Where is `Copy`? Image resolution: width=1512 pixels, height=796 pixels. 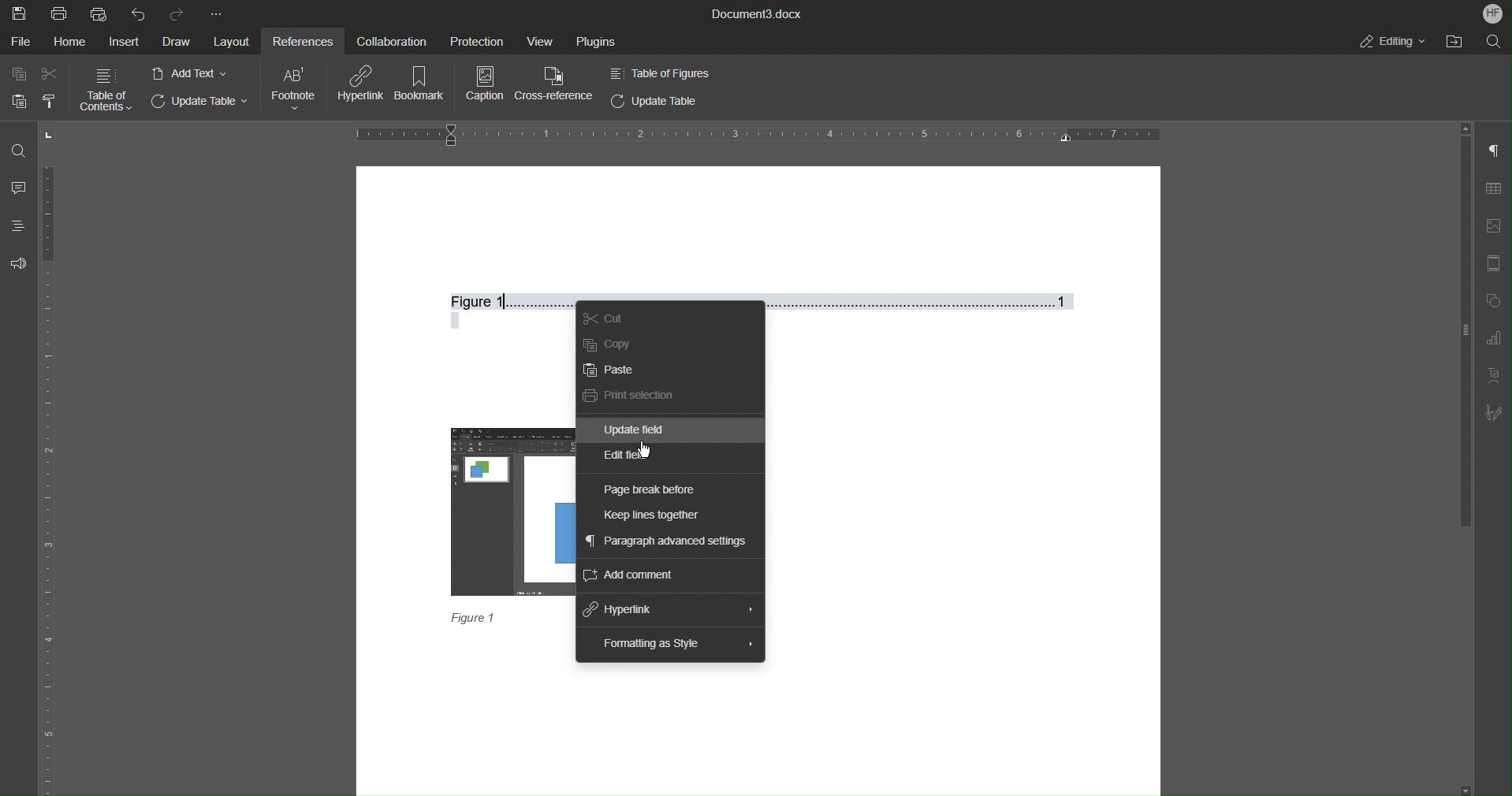
Copy is located at coordinates (20, 74).